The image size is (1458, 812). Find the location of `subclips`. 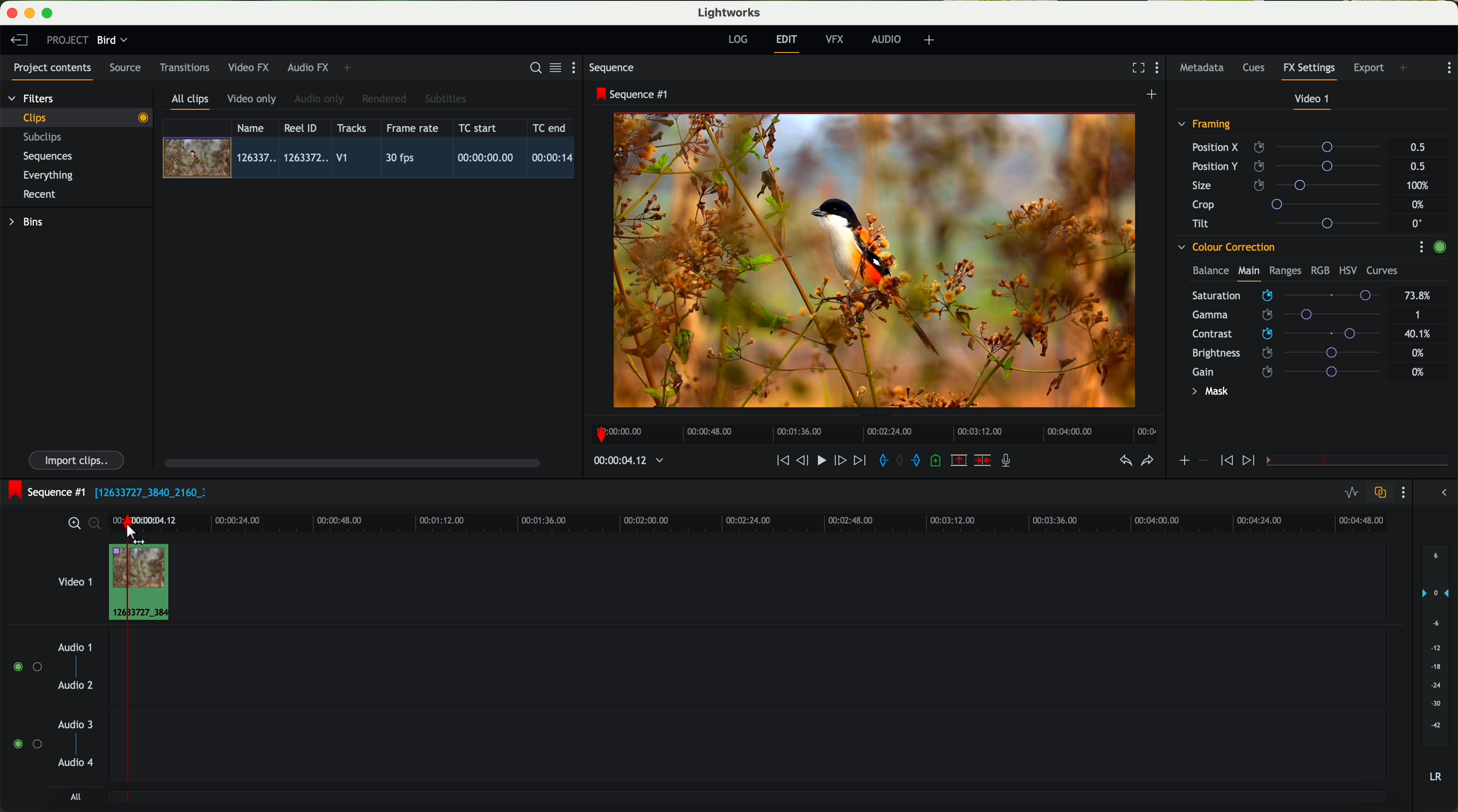

subclips is located at coordinates (45, 138).